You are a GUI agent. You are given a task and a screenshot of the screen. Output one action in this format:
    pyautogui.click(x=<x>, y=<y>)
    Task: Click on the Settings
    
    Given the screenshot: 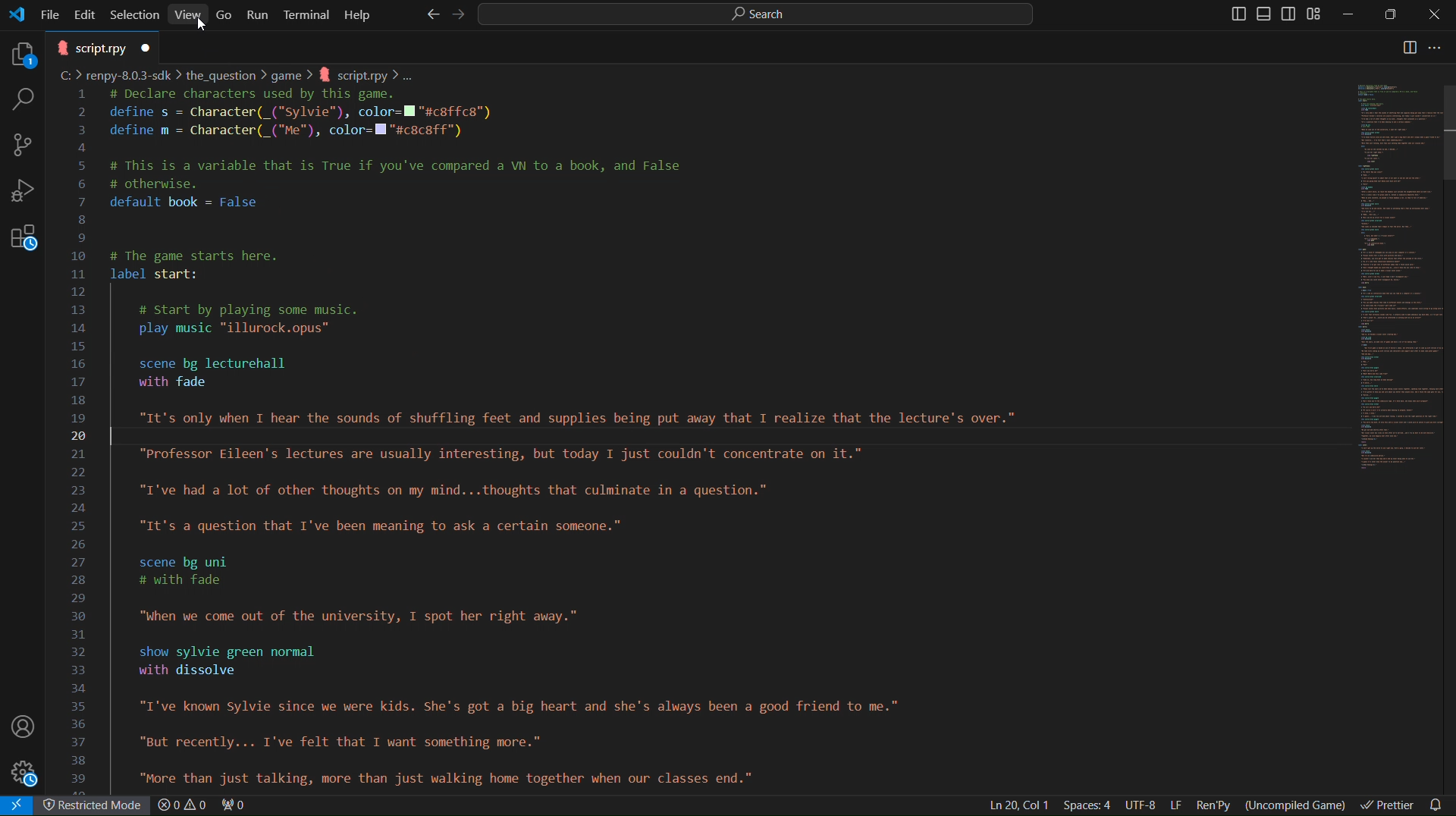 What is the action you would take?
    pyautogui.click(x=27, y=774)
    